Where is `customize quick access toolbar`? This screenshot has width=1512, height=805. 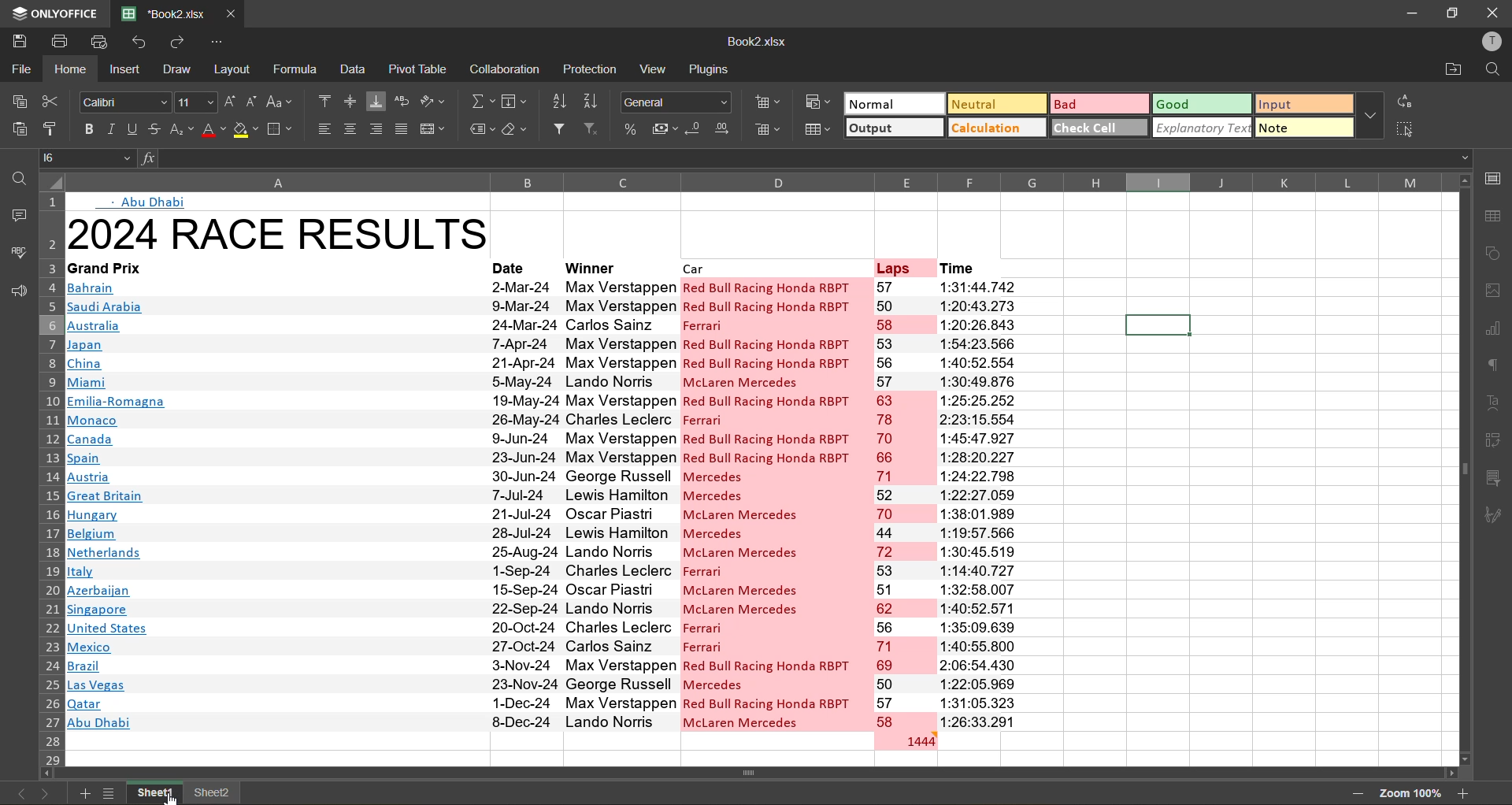 customize quick access toolbar is located at coordinates (219, 43).